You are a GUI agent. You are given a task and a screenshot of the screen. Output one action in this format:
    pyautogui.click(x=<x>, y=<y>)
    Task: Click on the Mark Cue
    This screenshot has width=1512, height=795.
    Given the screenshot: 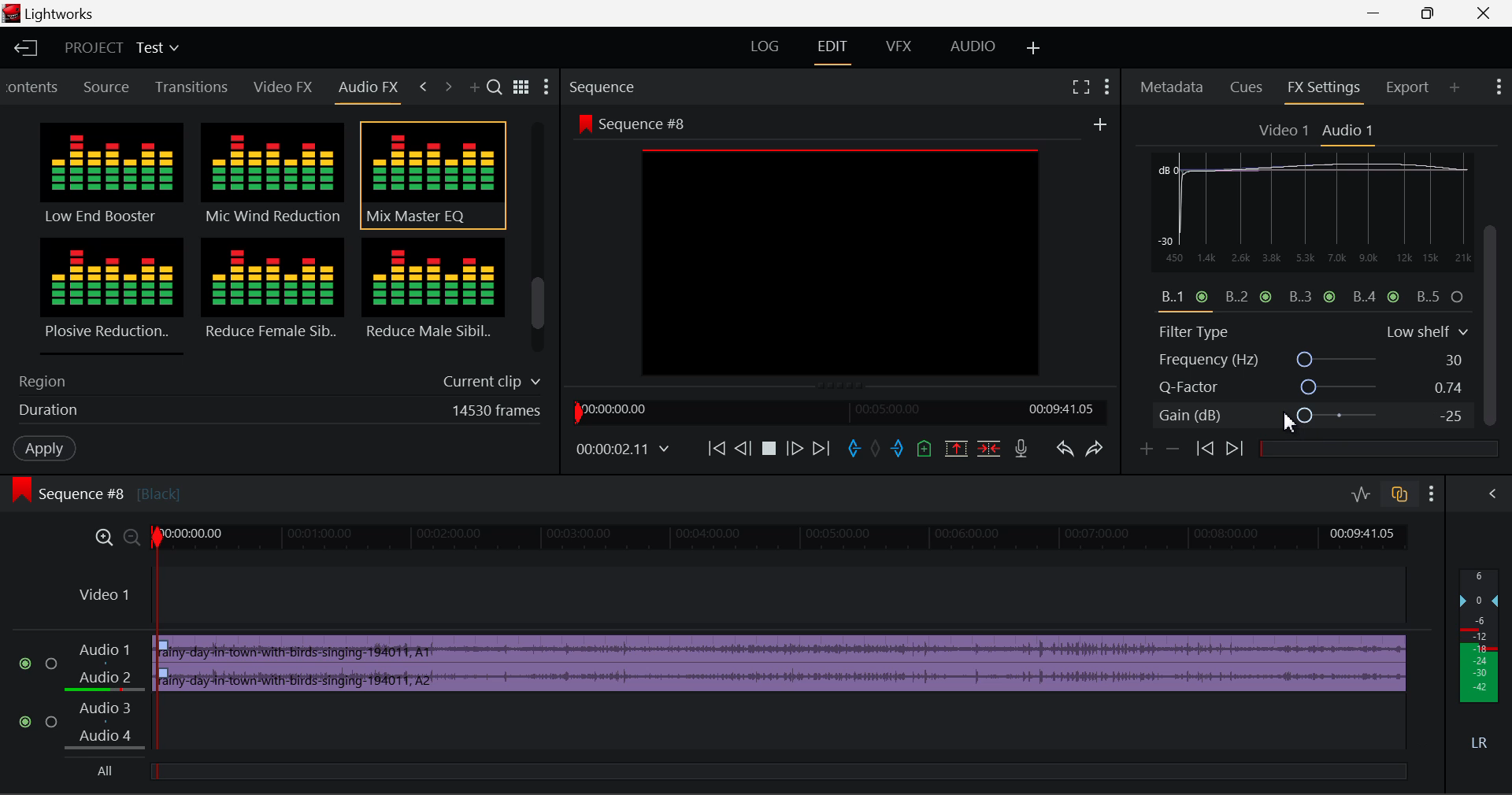 What is the action you would take?
    pyautogui.click(x=923, y=449)
    